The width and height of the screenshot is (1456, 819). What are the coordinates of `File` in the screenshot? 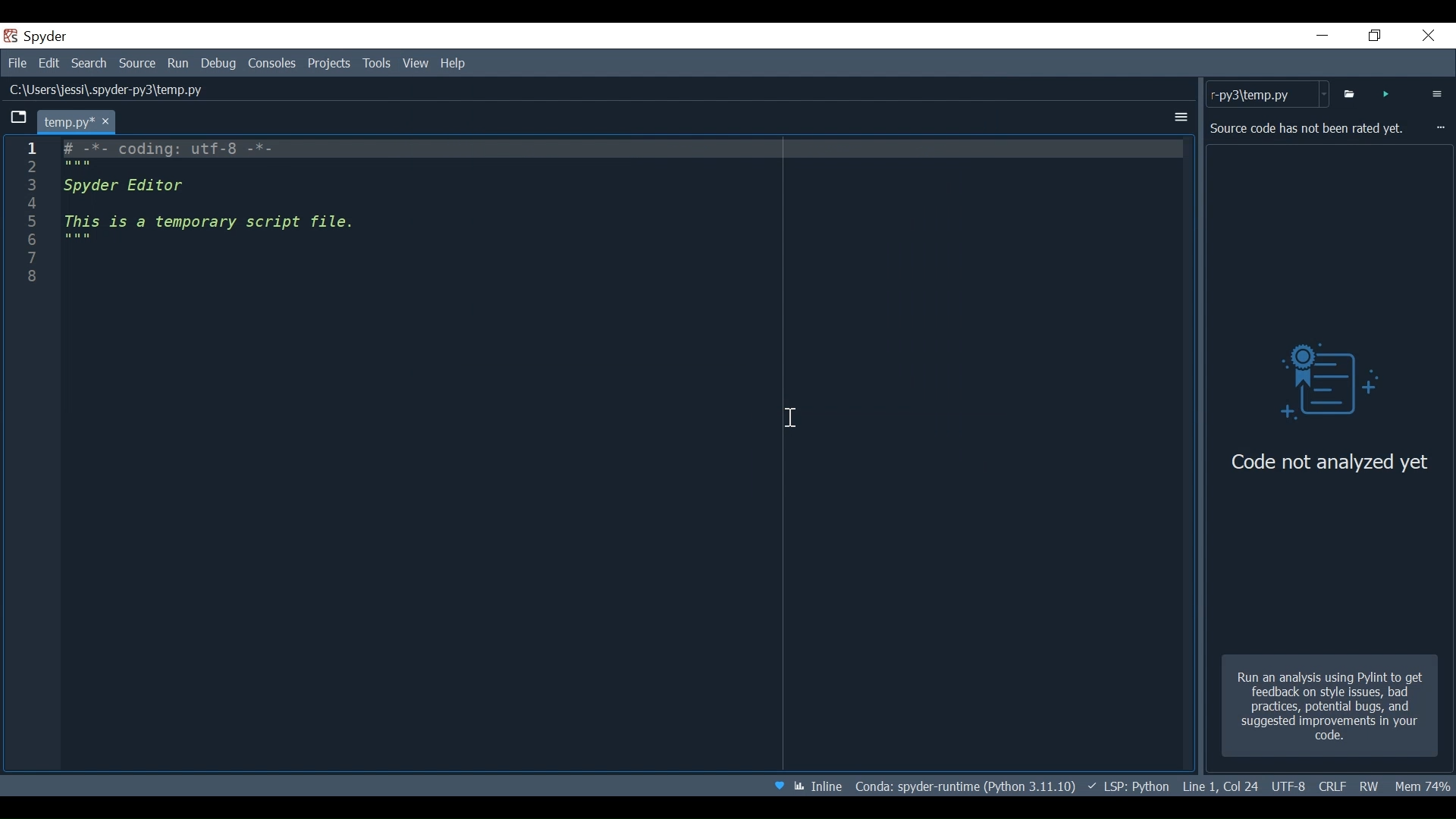 It's located at (15, 62).